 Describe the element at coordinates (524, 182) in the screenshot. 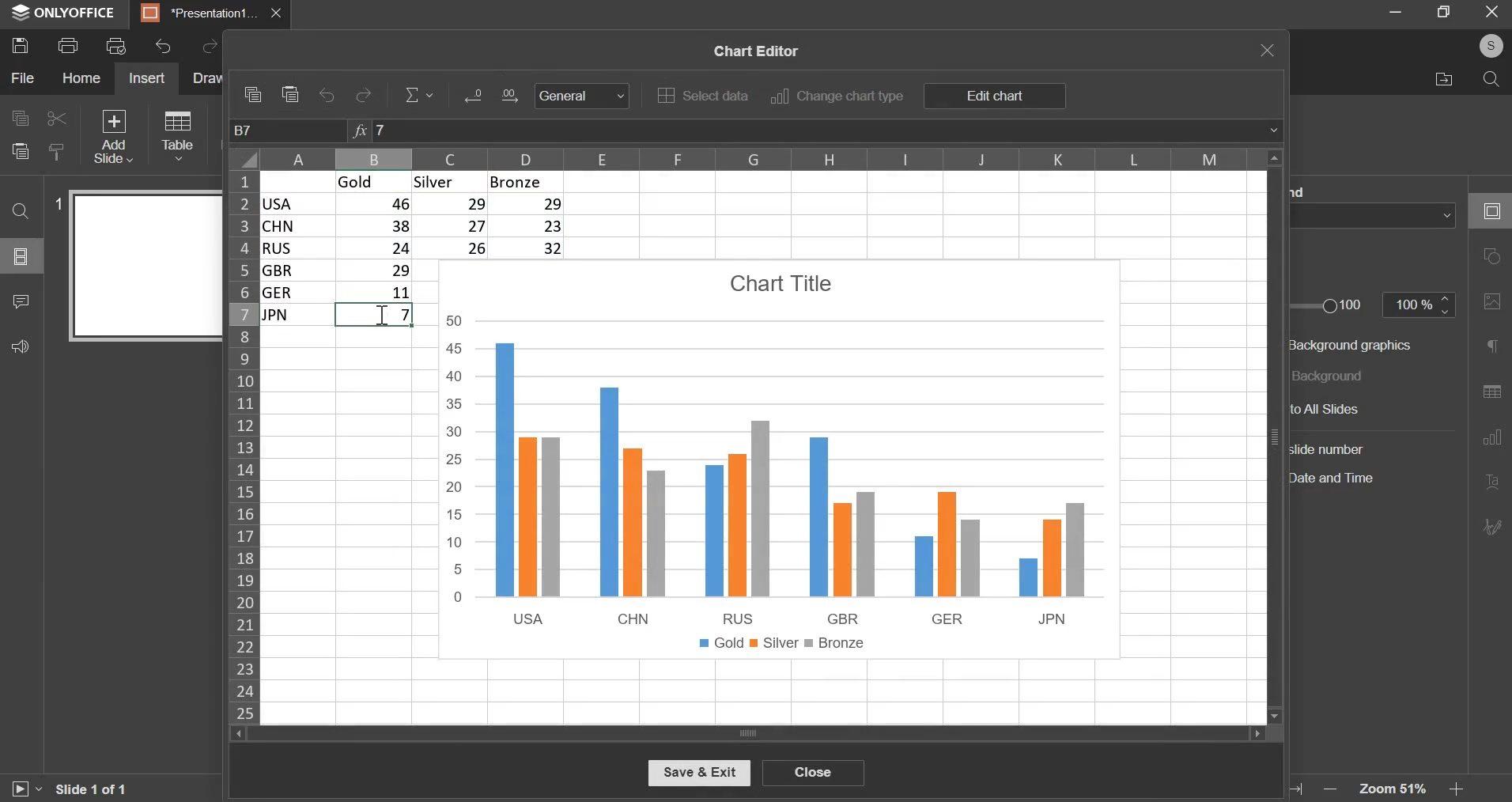

I see `bronze` at that location.